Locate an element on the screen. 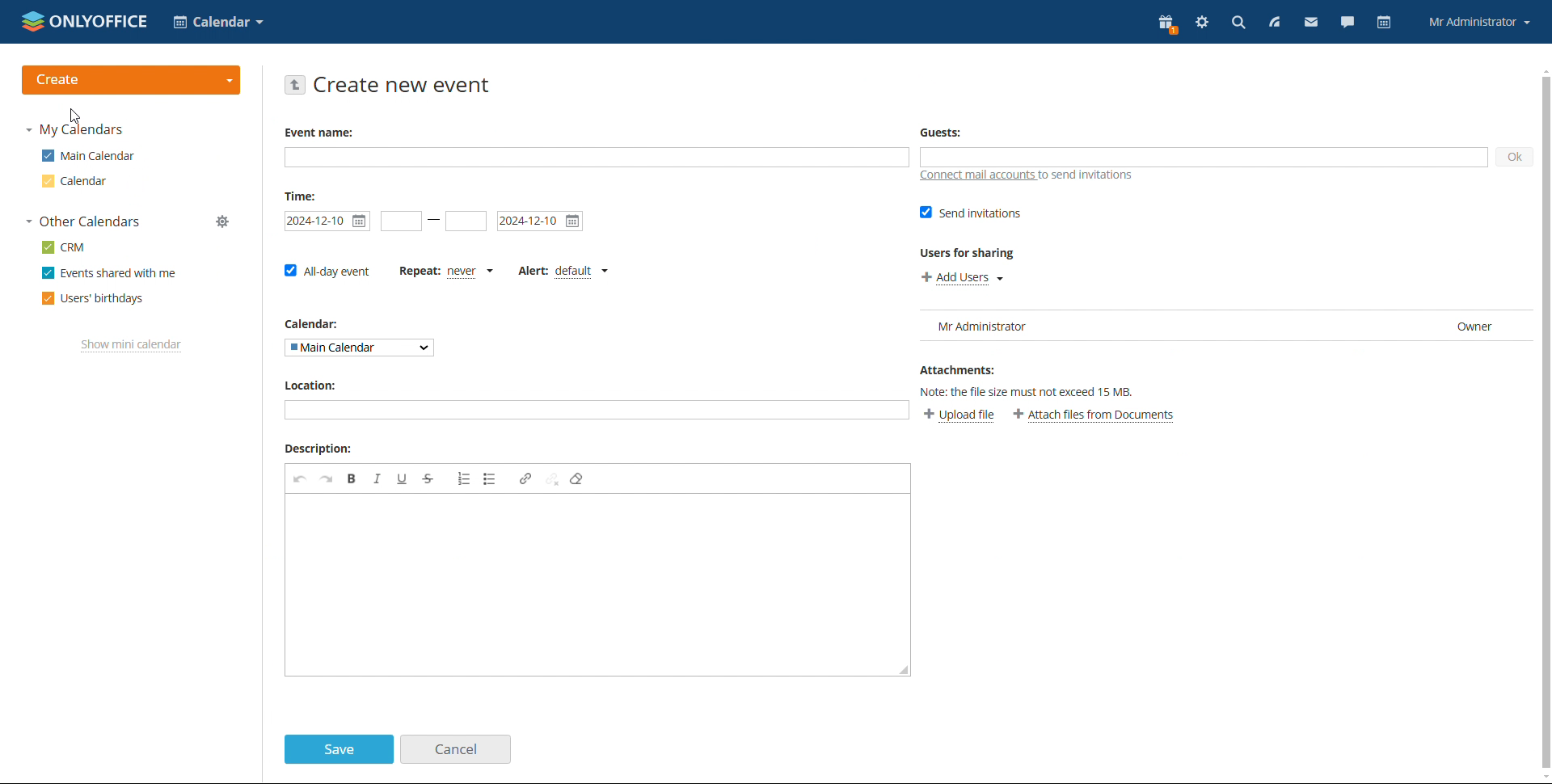  search is located at coordinates (1235, 23).